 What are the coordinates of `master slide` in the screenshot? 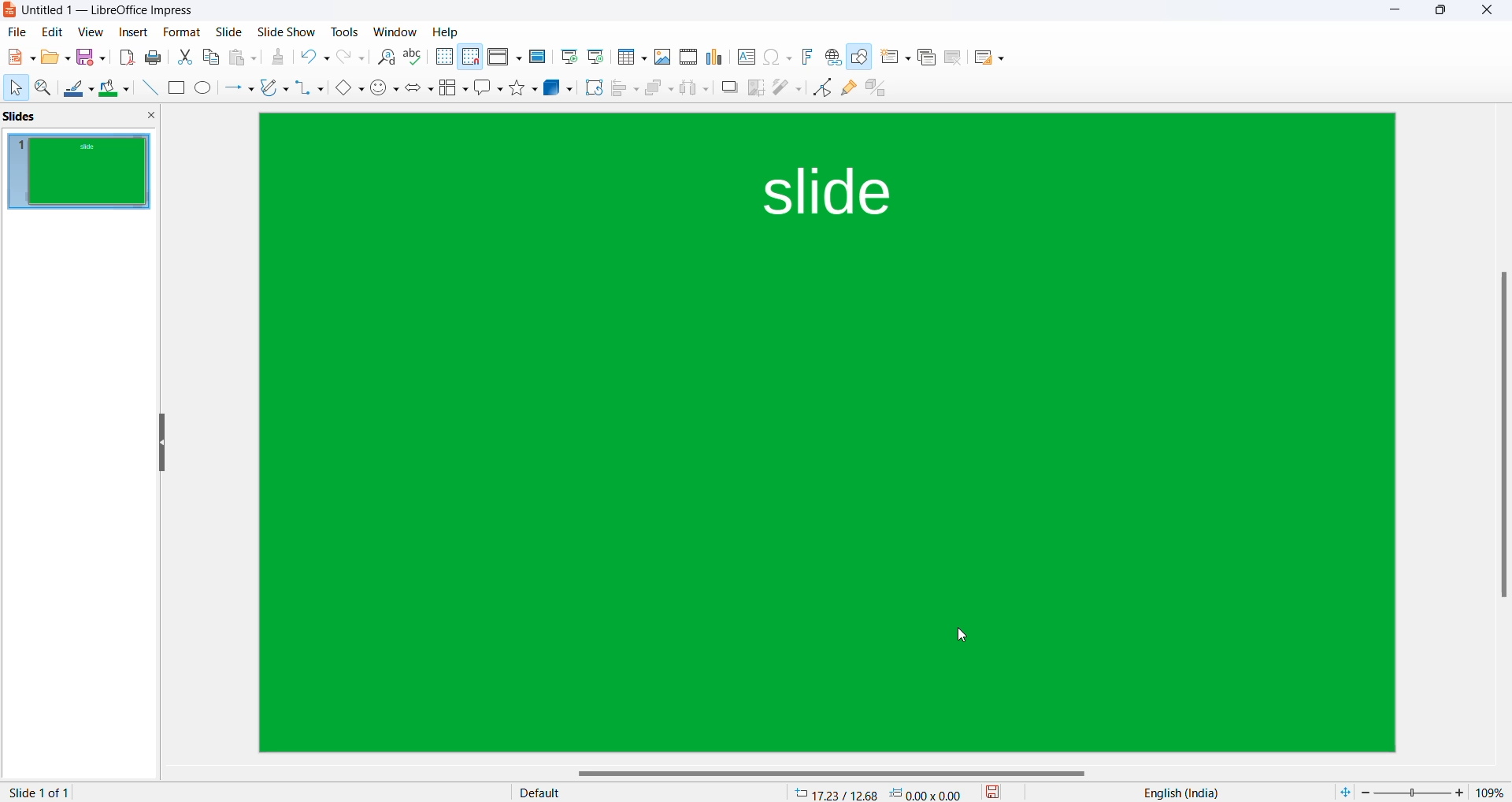 It's located at (537, 56).